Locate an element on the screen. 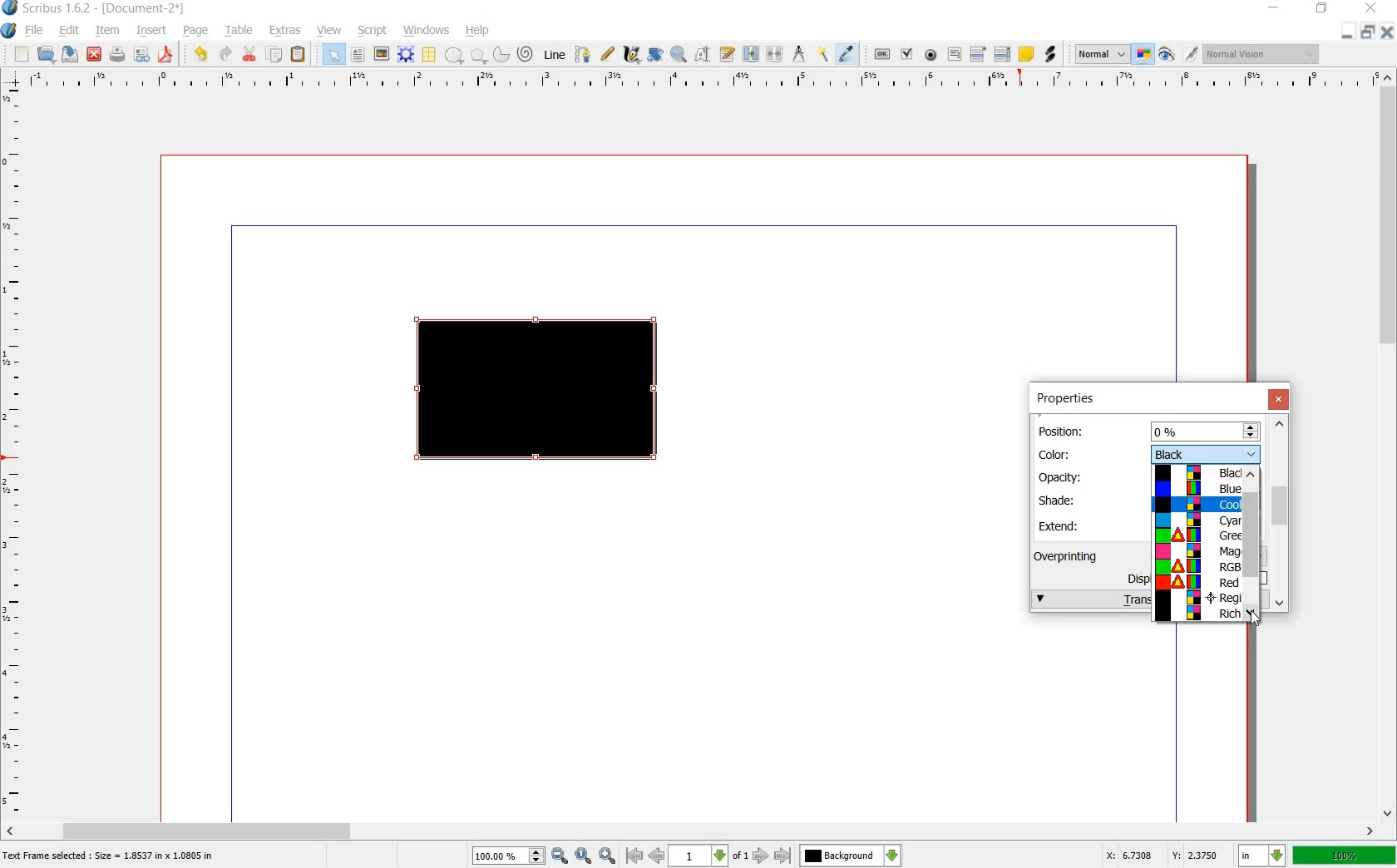 This screenshot has width=1397, height=868. shape is located at coordinates (454, 56).